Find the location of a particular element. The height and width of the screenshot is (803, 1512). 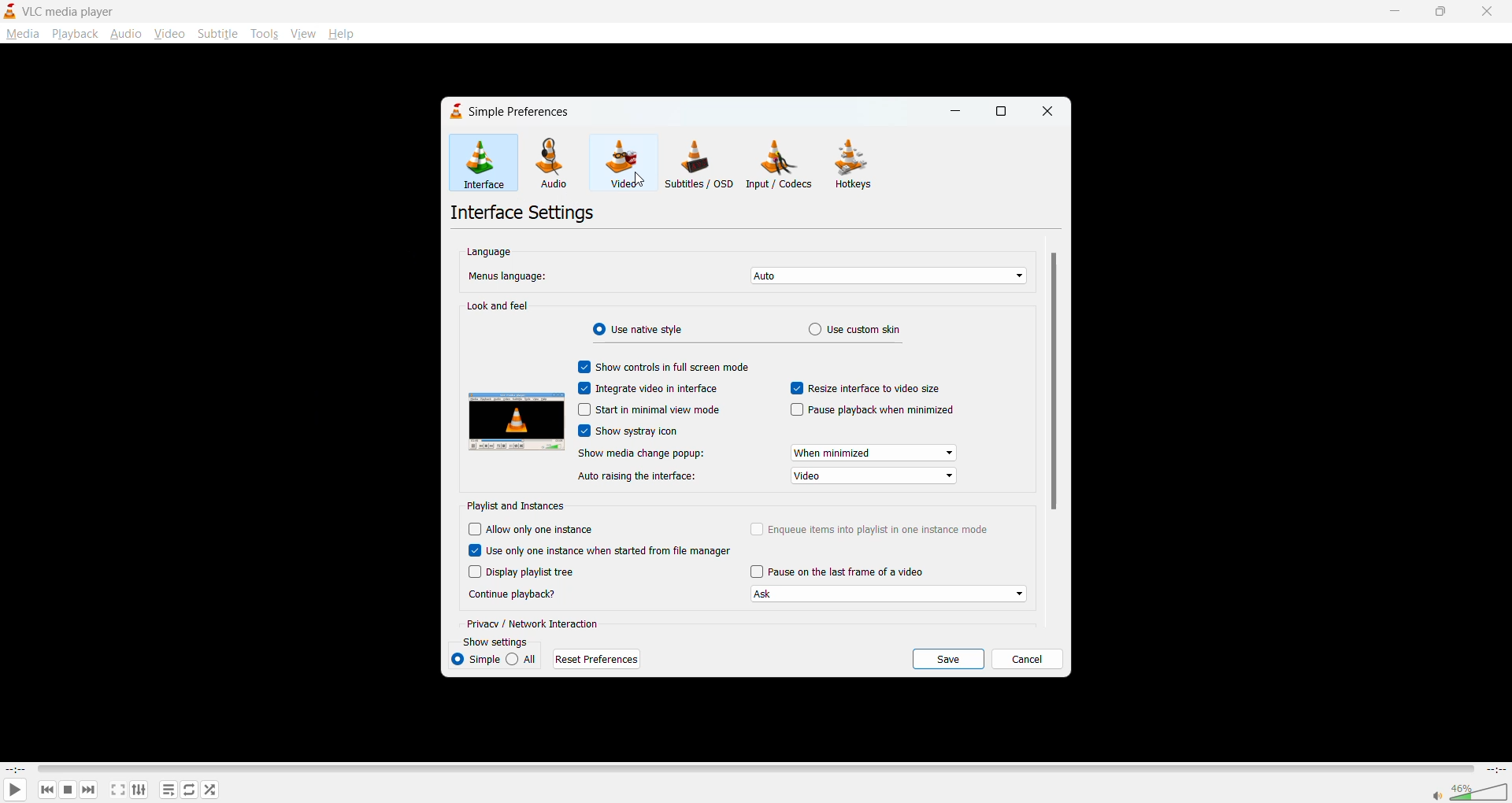

minimize is located at coordinates (1397, 10).